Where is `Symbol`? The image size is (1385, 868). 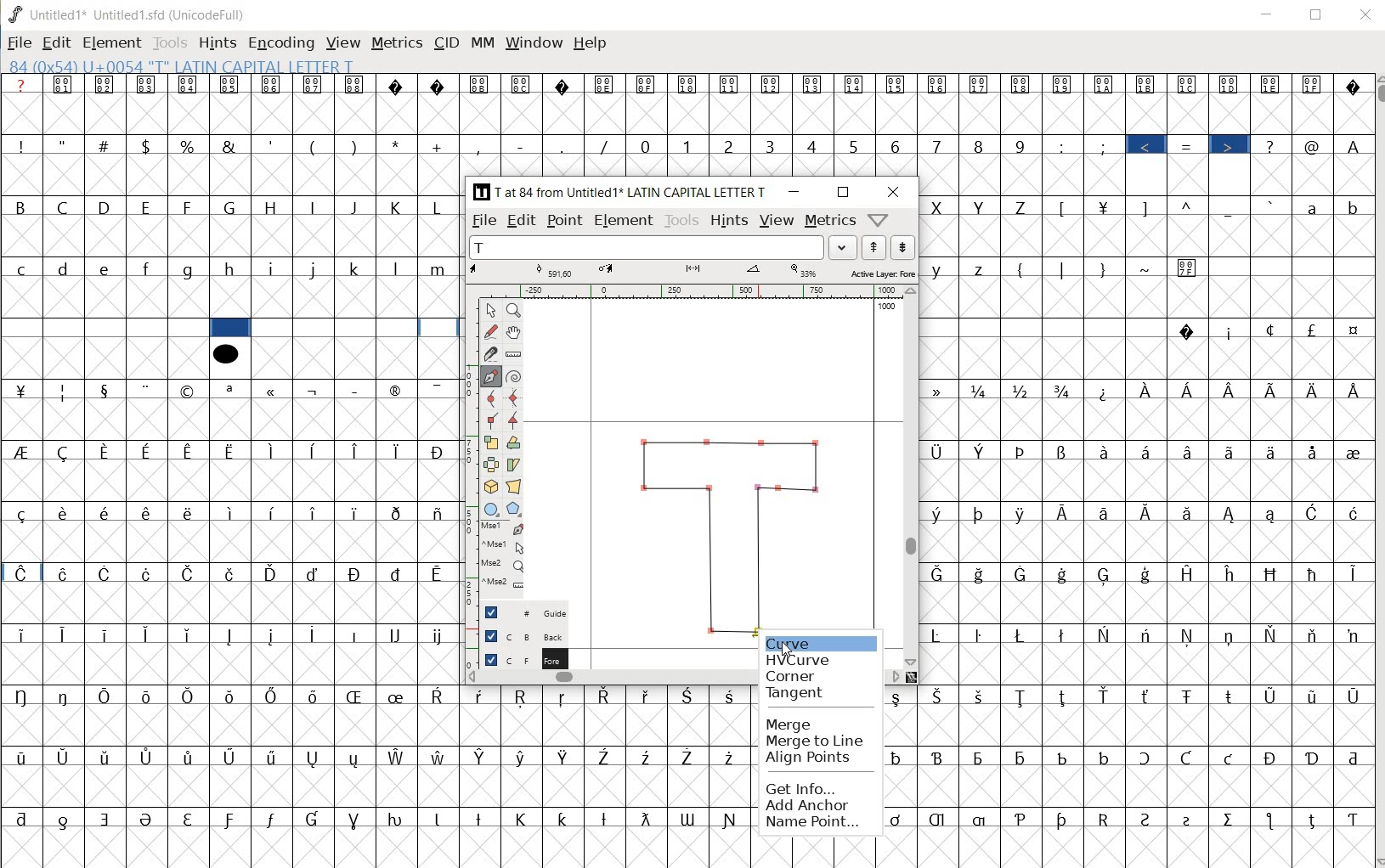 Symbol is located at coordinates (1273, 84).